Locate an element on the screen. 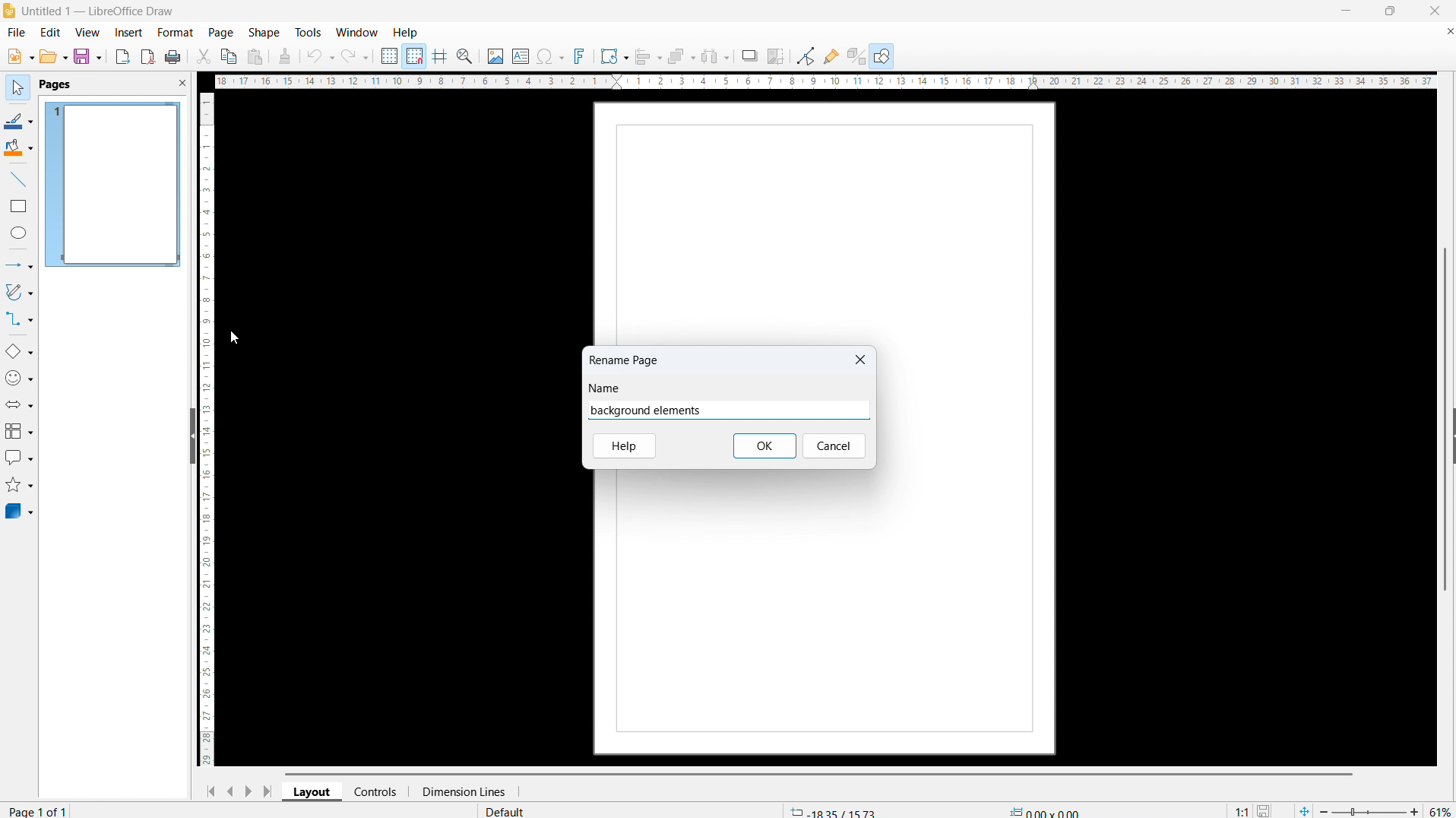  window is located at coordinates (357, 32).